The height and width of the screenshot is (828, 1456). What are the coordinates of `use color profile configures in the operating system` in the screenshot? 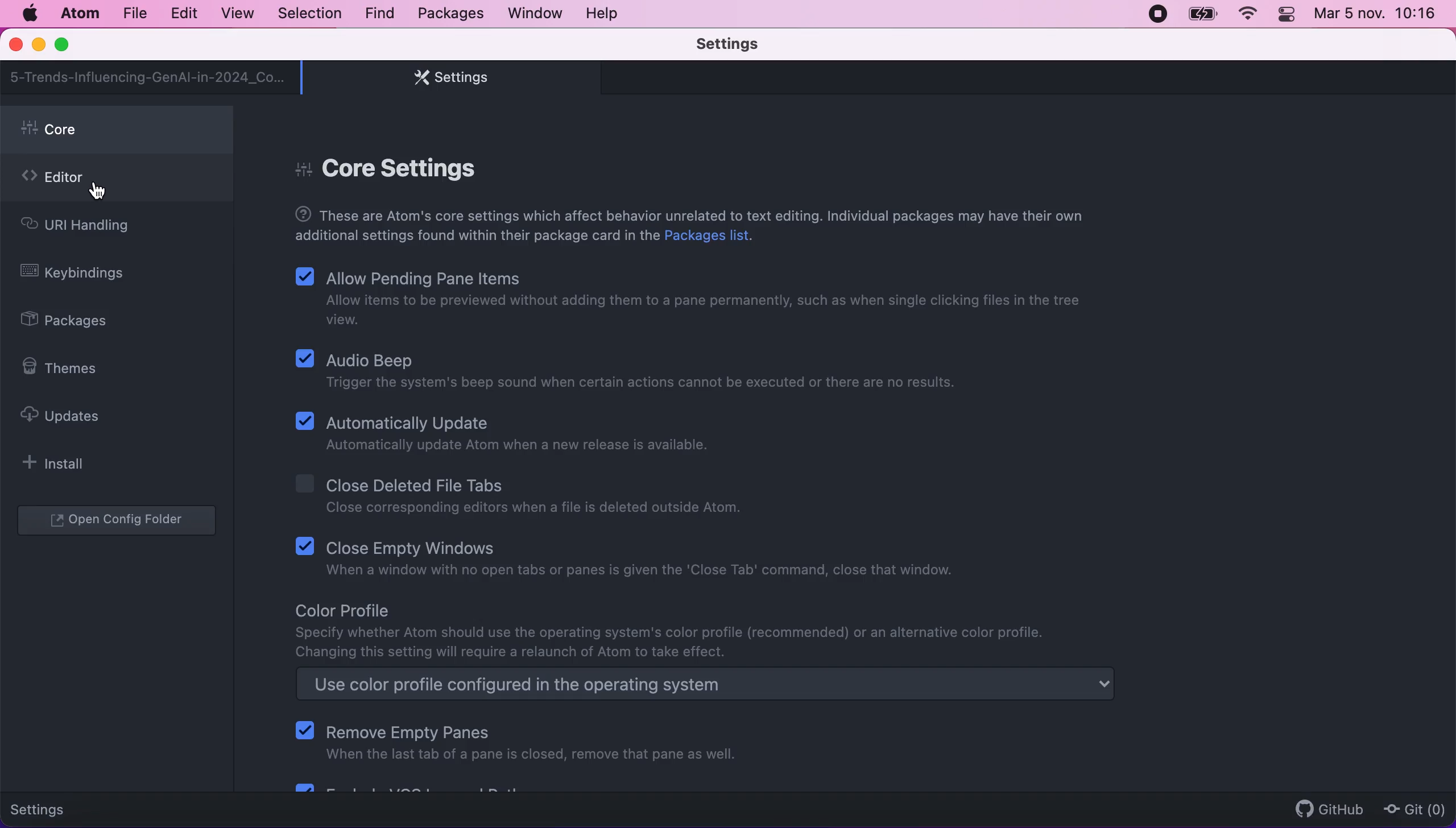 It's located at (731, 686).